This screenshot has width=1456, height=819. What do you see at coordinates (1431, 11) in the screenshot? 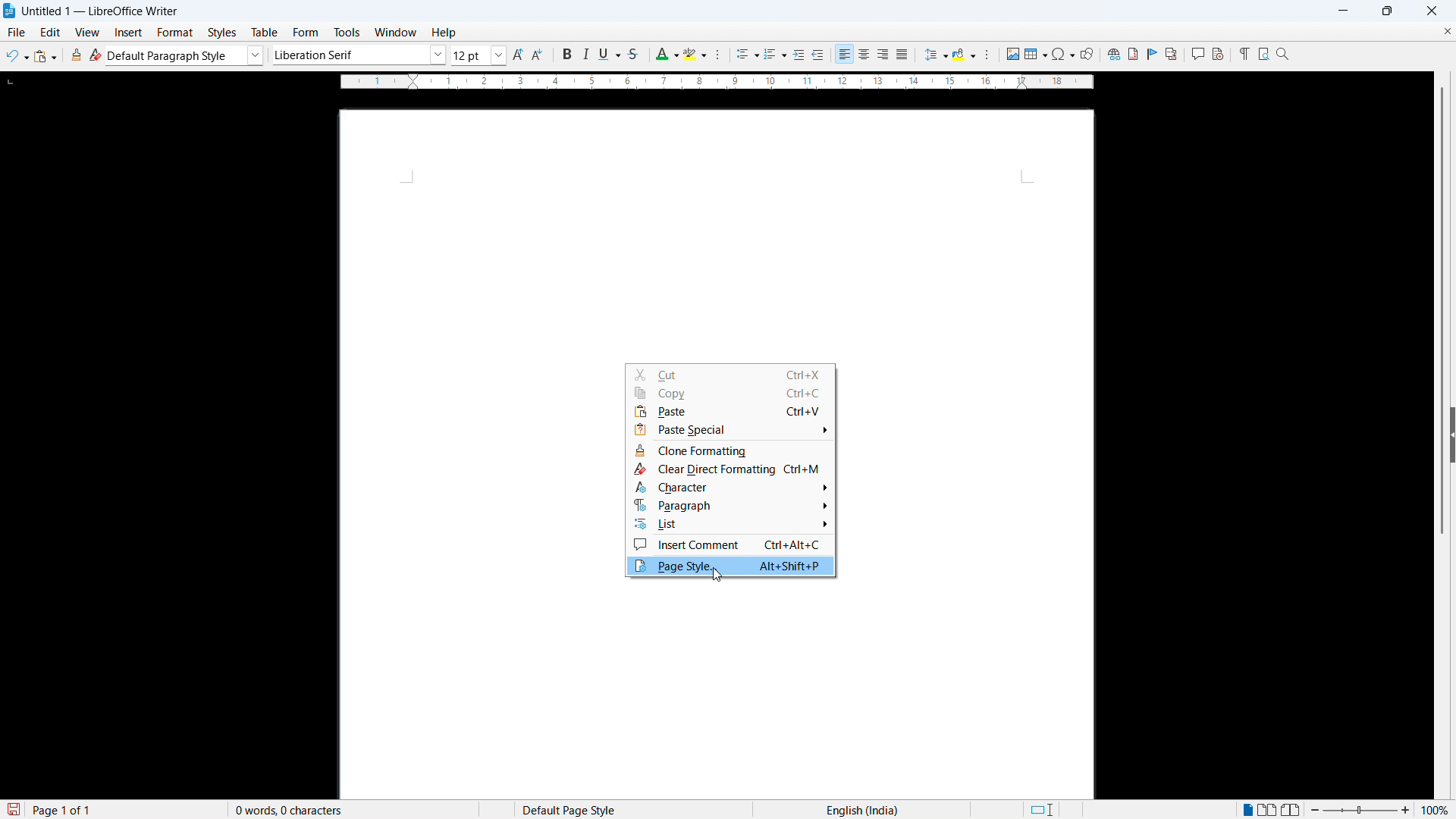
I see `Close ` at bounding box center [1431, 11].